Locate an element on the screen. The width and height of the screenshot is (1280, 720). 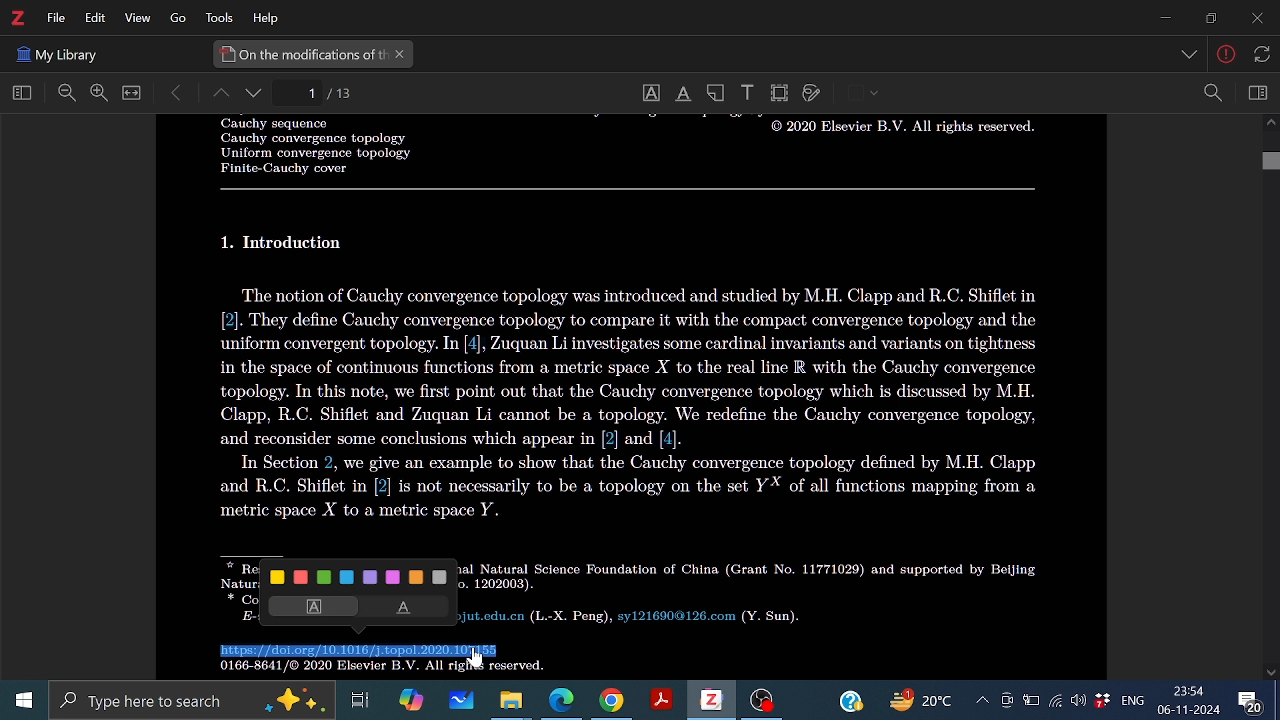
Copilot is located at coordinates (410, 700).